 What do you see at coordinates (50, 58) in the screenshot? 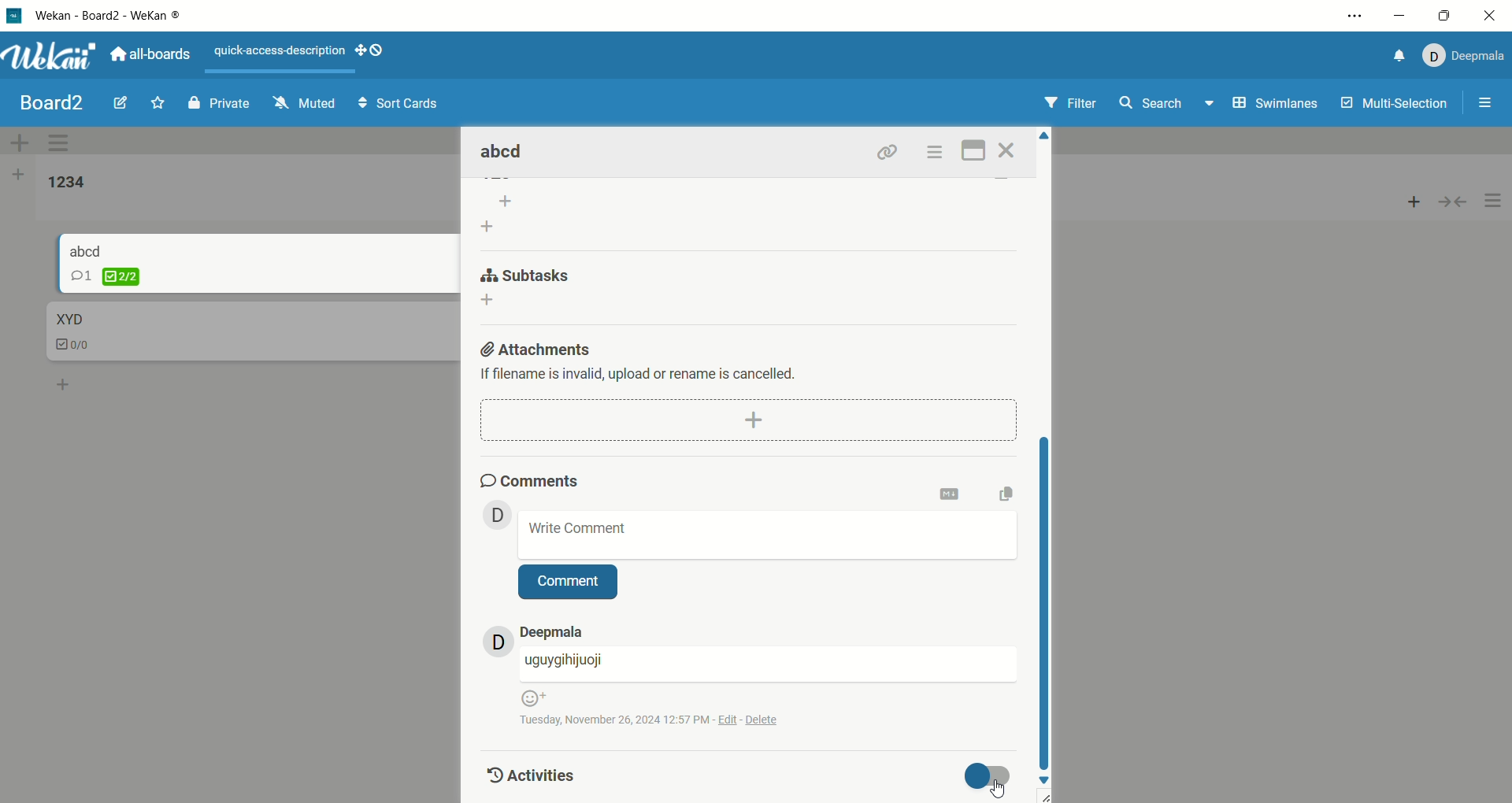
I see `wekan` at bounding box center [50, 58].